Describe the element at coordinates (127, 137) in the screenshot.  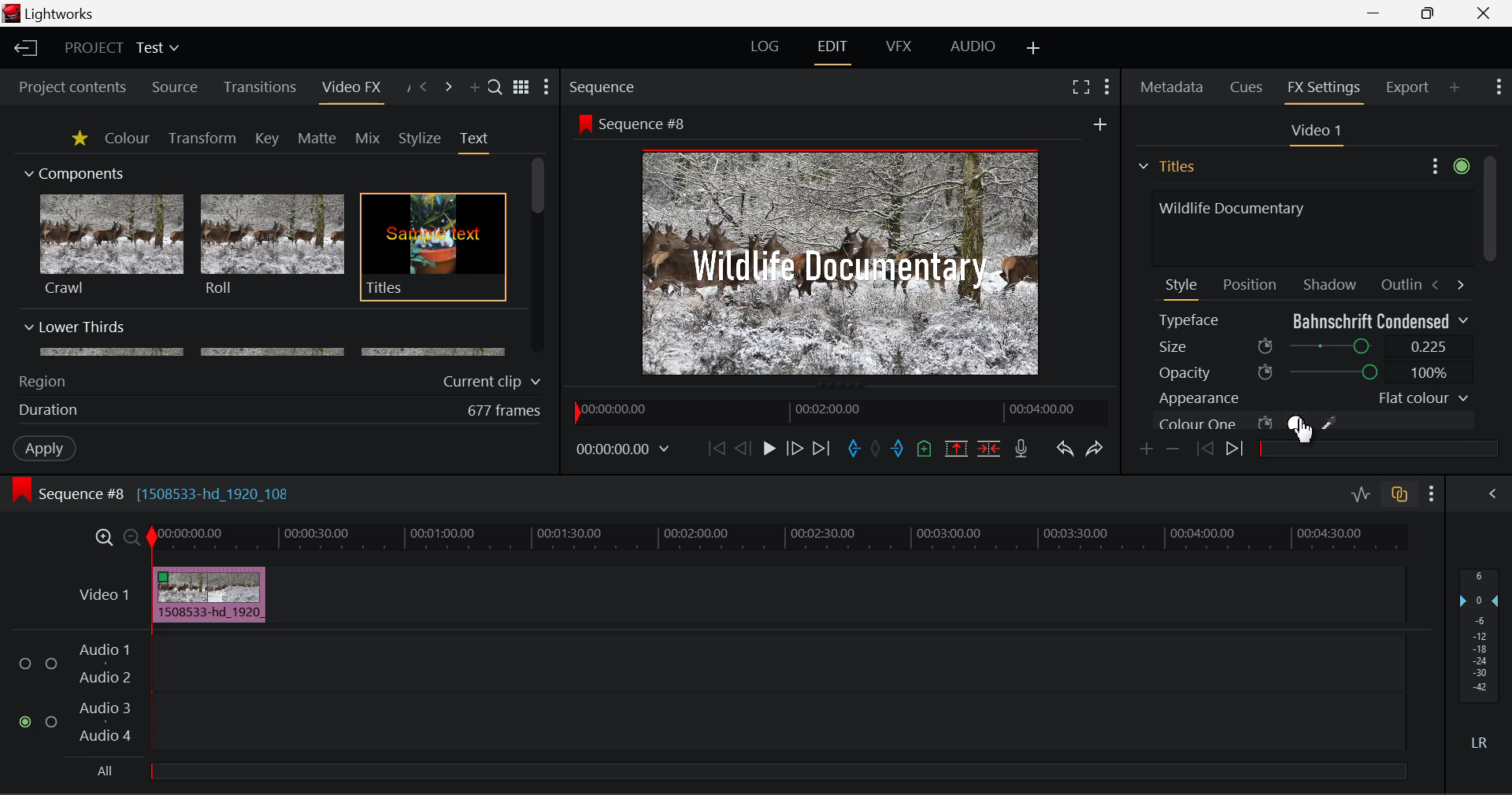
I see `Colour` at that location.